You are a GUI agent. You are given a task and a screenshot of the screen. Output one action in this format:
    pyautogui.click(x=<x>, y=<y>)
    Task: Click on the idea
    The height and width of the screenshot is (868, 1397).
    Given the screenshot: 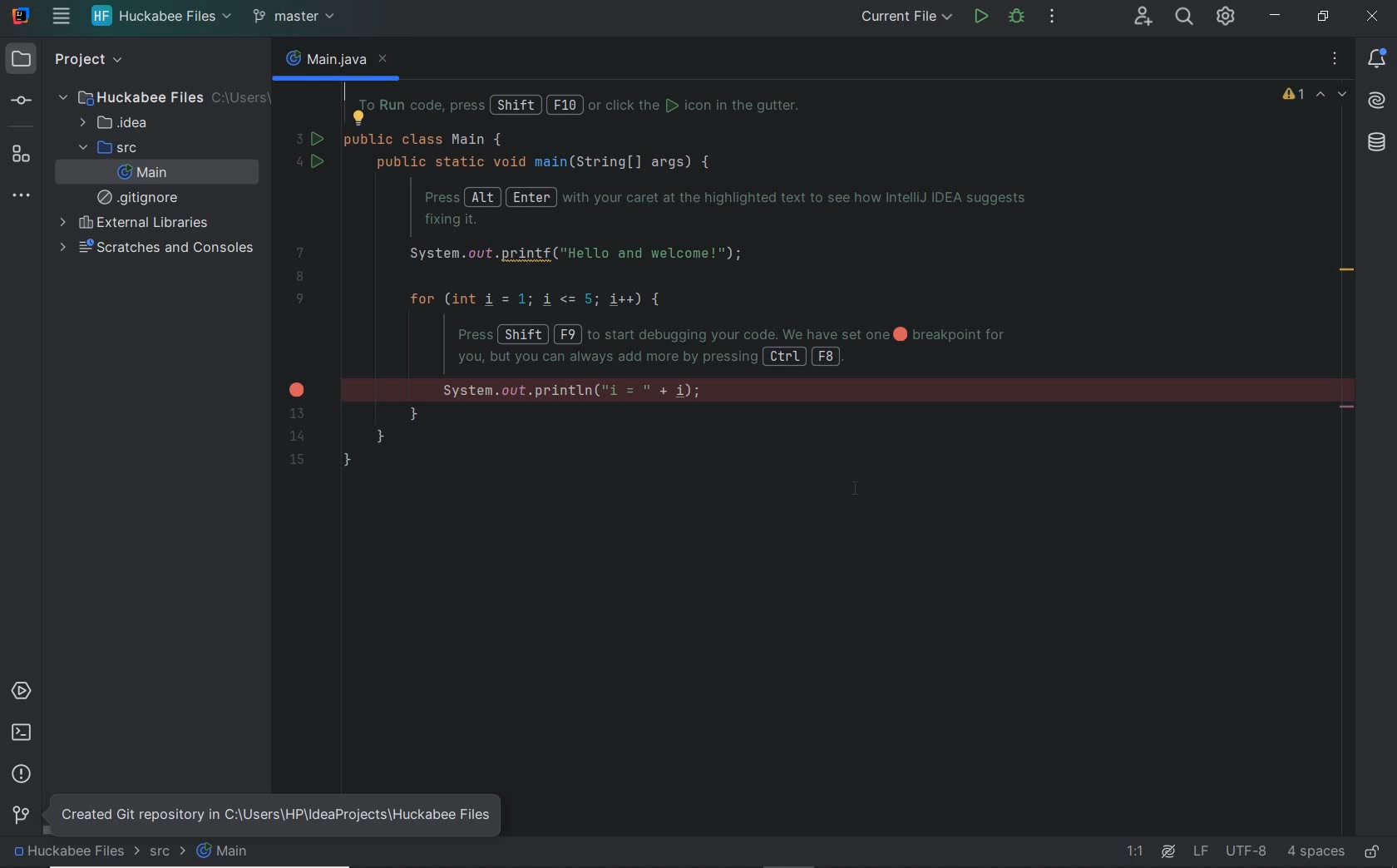 What is the action you would take?
    pyautogui.click(x=119, y=123)
    